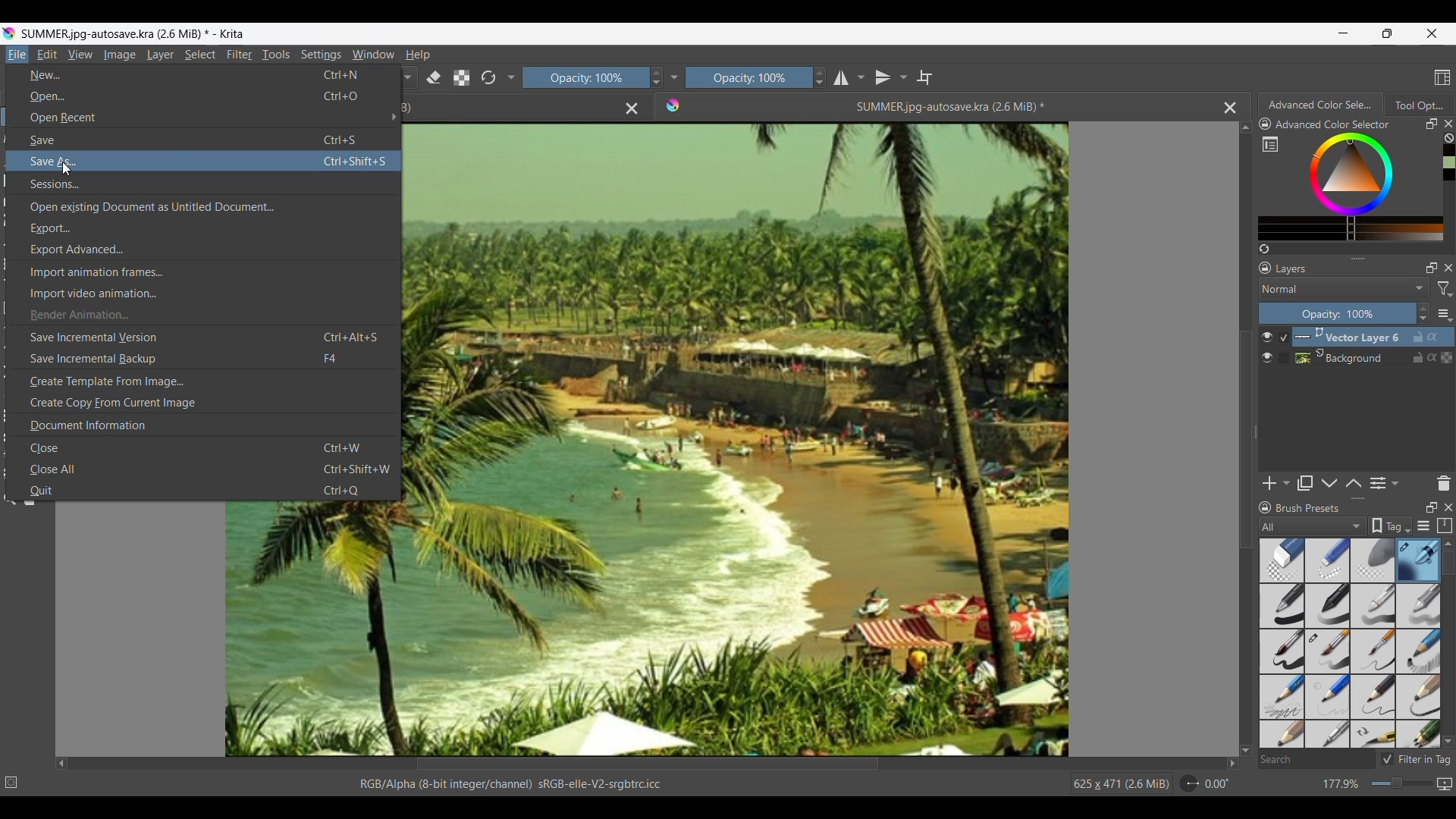 This screenshot has height=819, width=1456. Describe the element at coordinates (1304, 483) in the screenshot. I see `Duplicate layer/mask` at that location.